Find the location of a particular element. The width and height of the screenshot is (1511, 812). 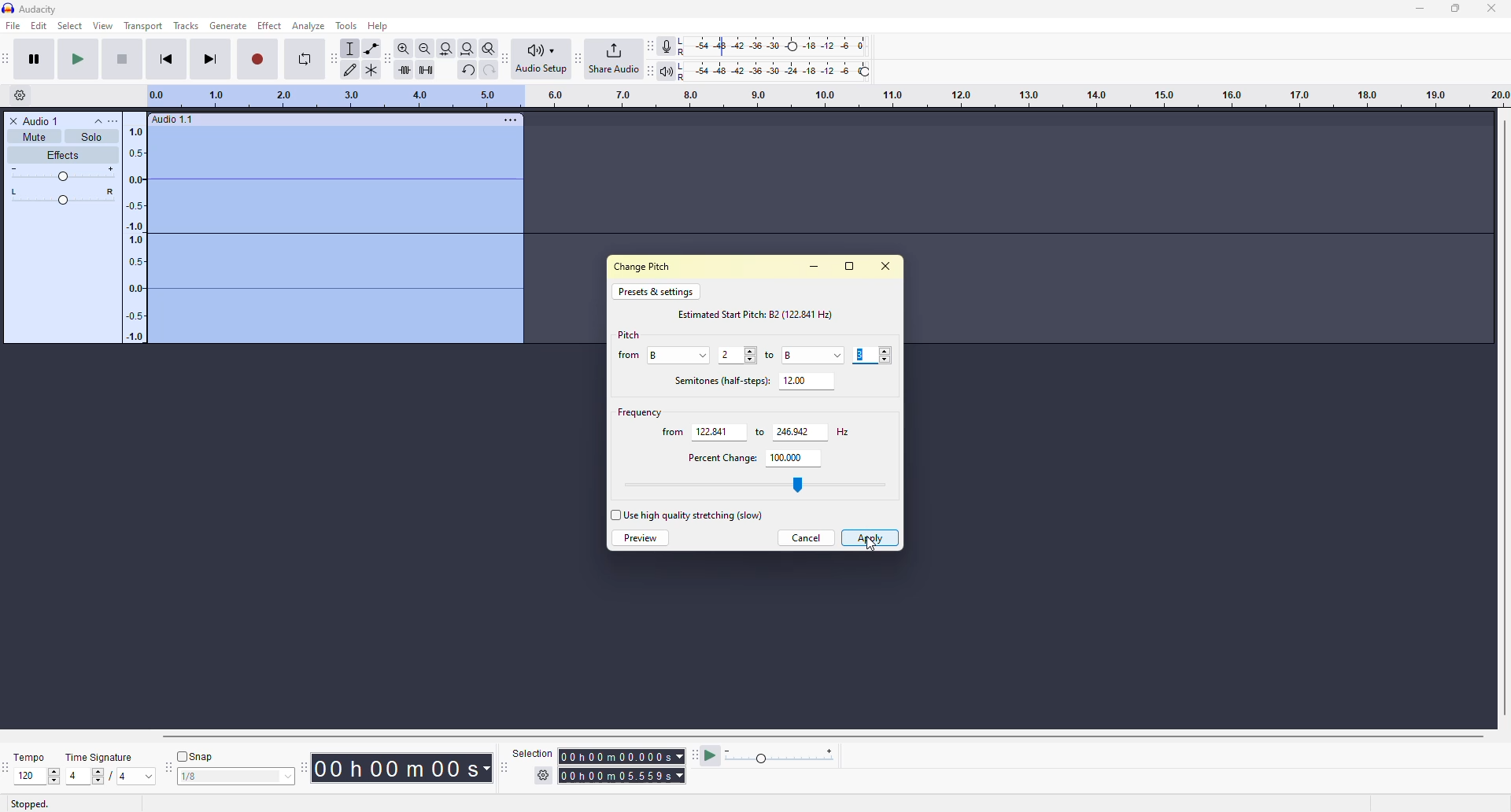

down is located at coordinates (54, 781).